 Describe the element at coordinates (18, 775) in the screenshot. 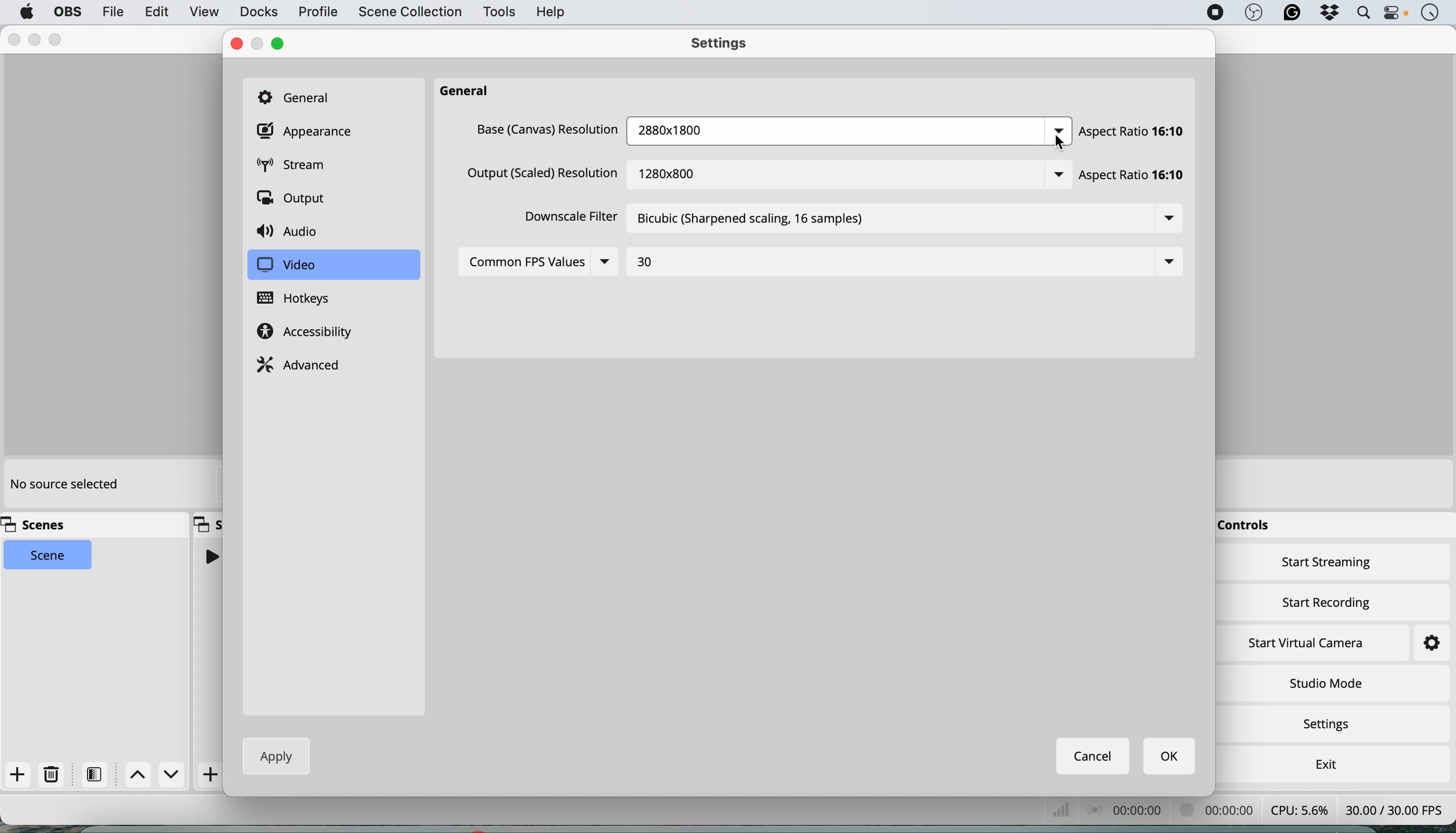

I see `add scene` at that location.